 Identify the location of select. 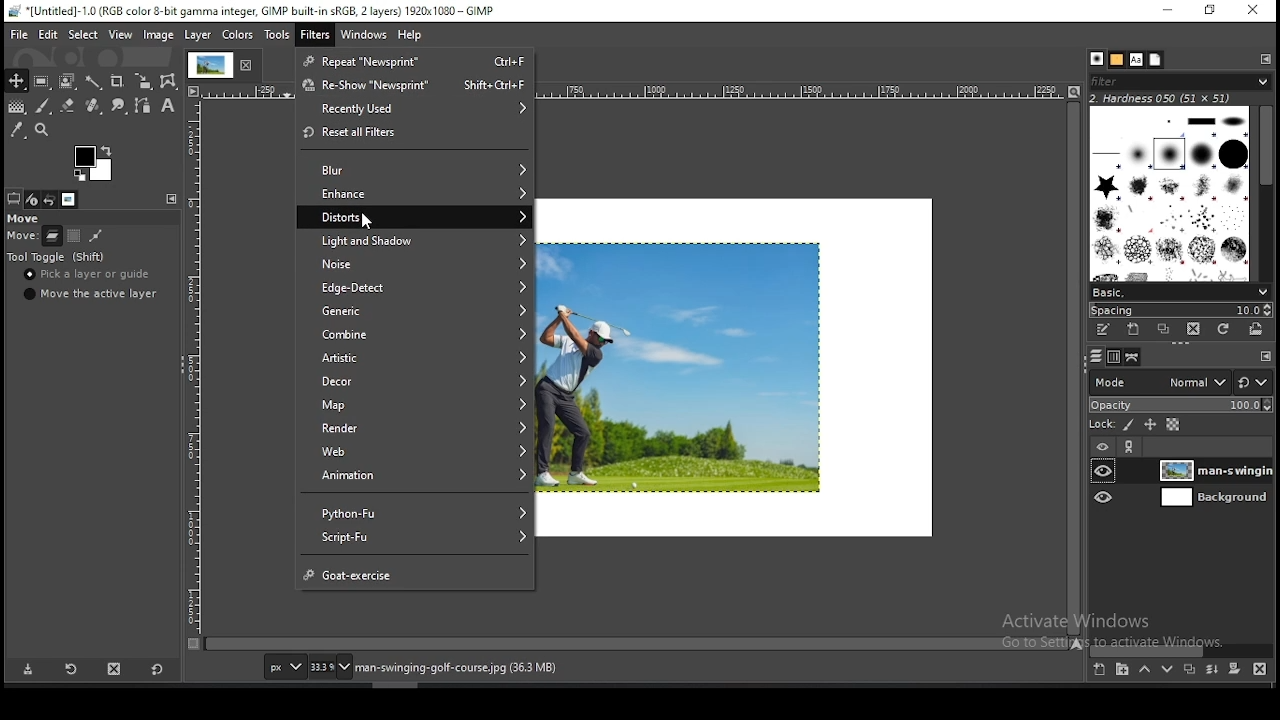
(83, 35).